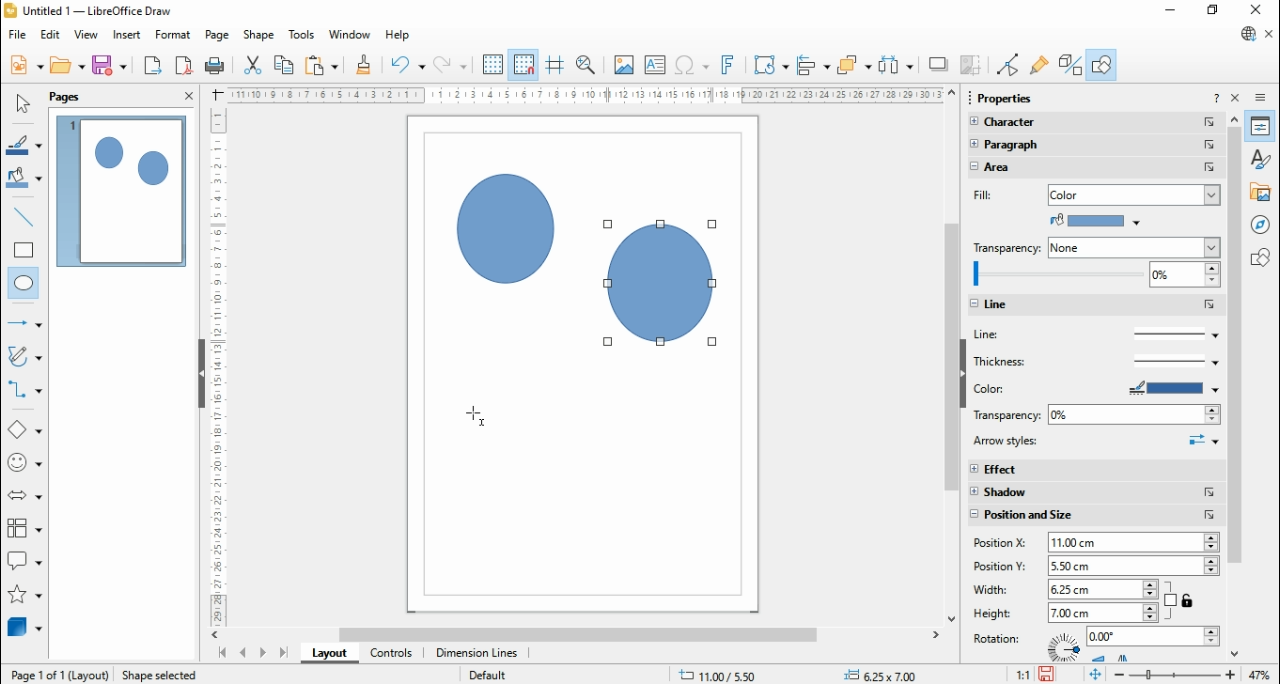 This screenshot has width=1280, height=684. What do you see at coordinates (25, 179) in the screenshot?
I see `fill color` at bounding box center [25, 179].